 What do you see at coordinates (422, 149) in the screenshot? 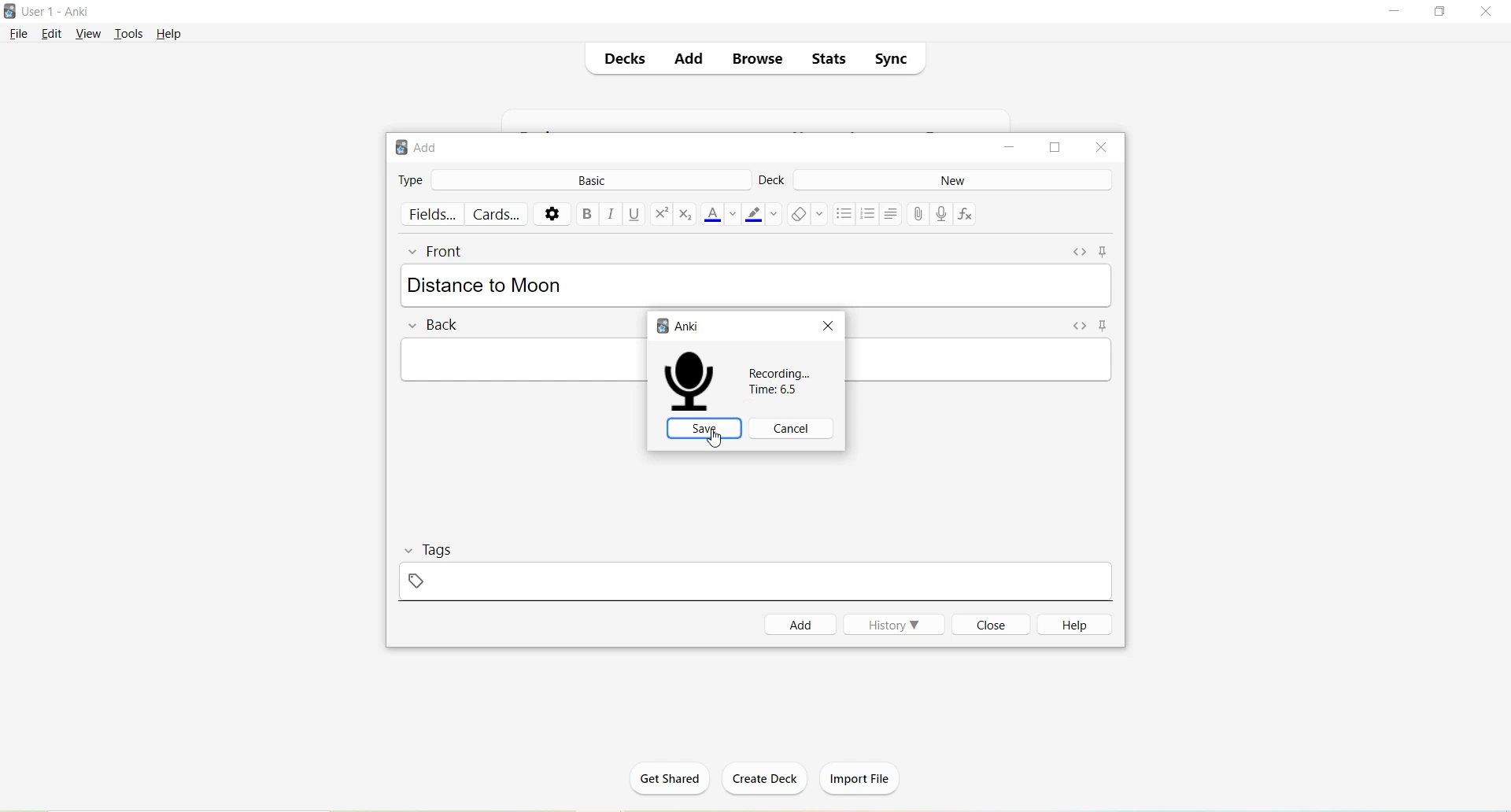
I see `Add` at bounding box center [422, 149].